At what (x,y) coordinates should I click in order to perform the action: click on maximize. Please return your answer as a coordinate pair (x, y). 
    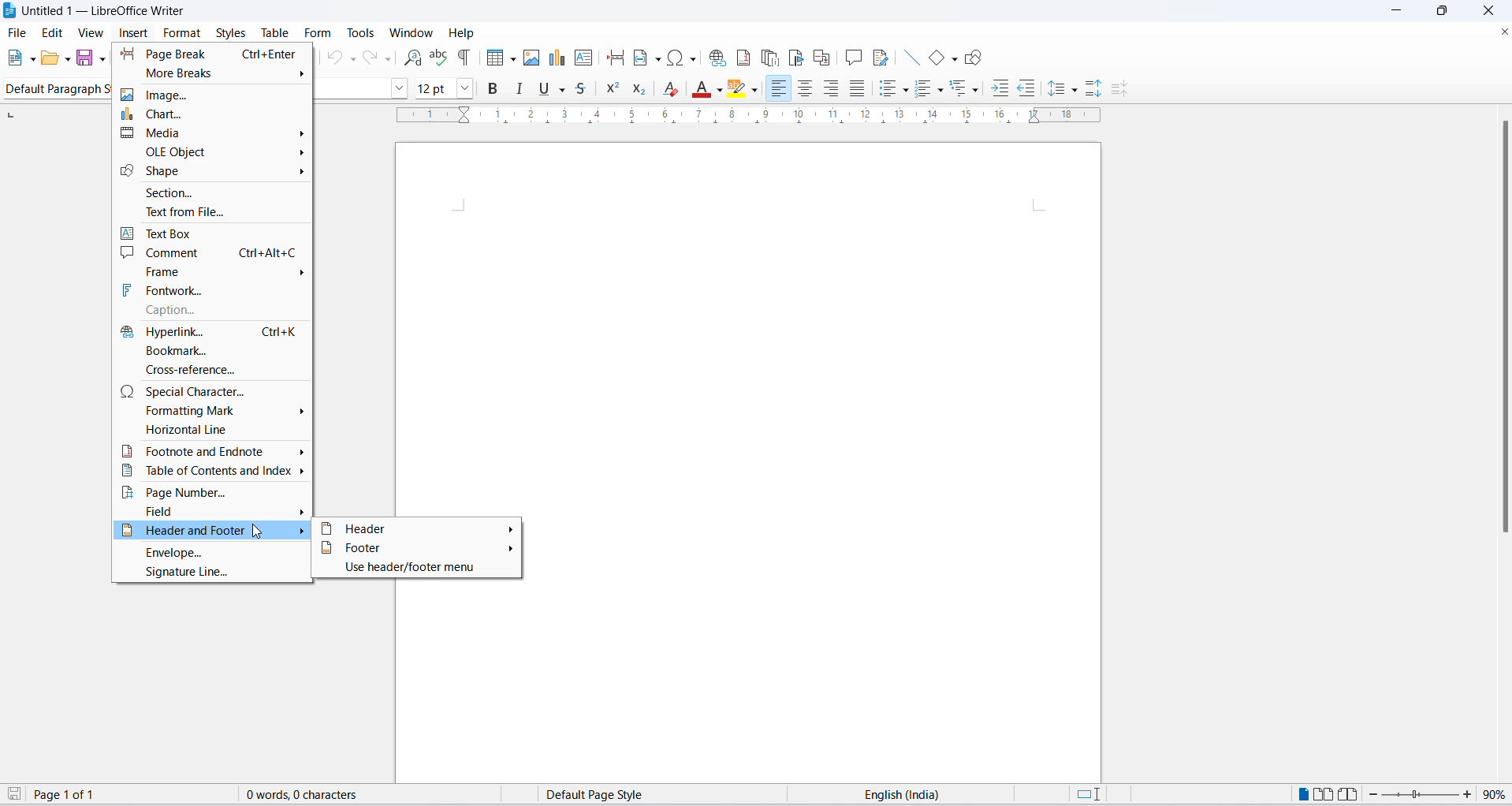
    Looking at the image, I should click on (1448, 12).